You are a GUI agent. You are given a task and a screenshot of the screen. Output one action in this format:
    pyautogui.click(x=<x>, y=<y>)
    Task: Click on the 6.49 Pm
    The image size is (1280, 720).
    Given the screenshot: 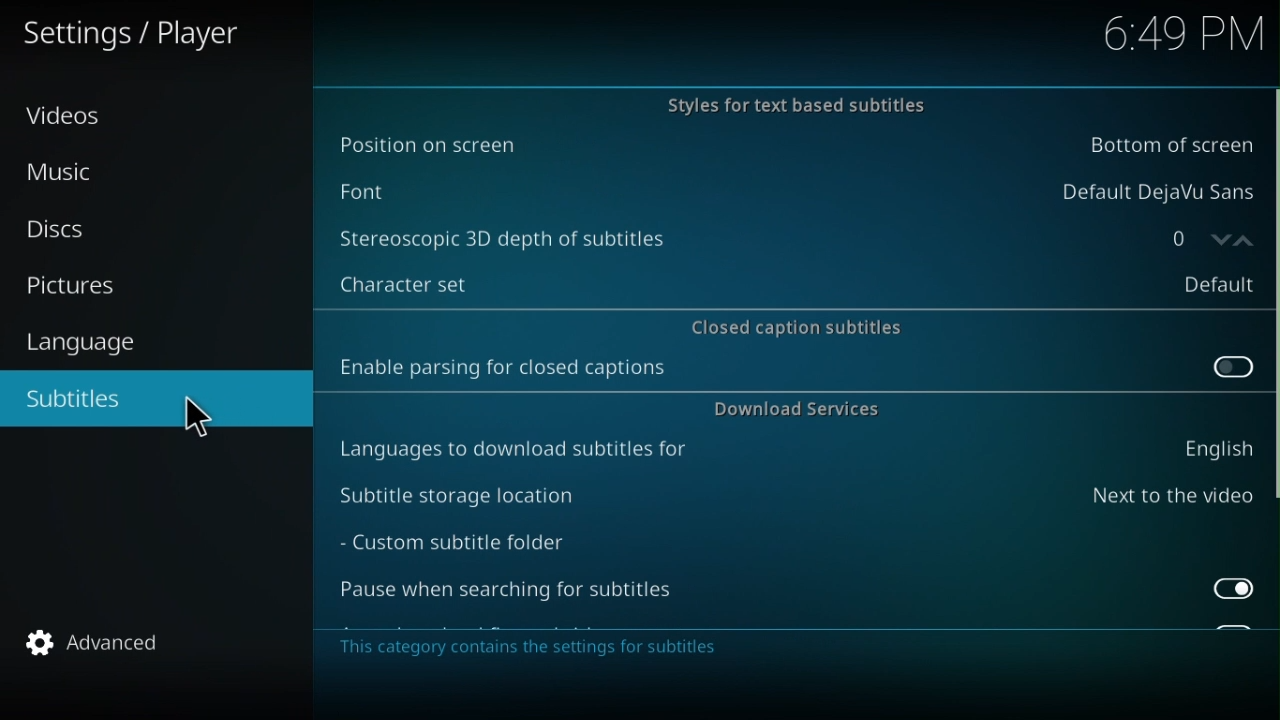 What is the action you would take?
    pyautogui.click(x=1178, y=32)
    